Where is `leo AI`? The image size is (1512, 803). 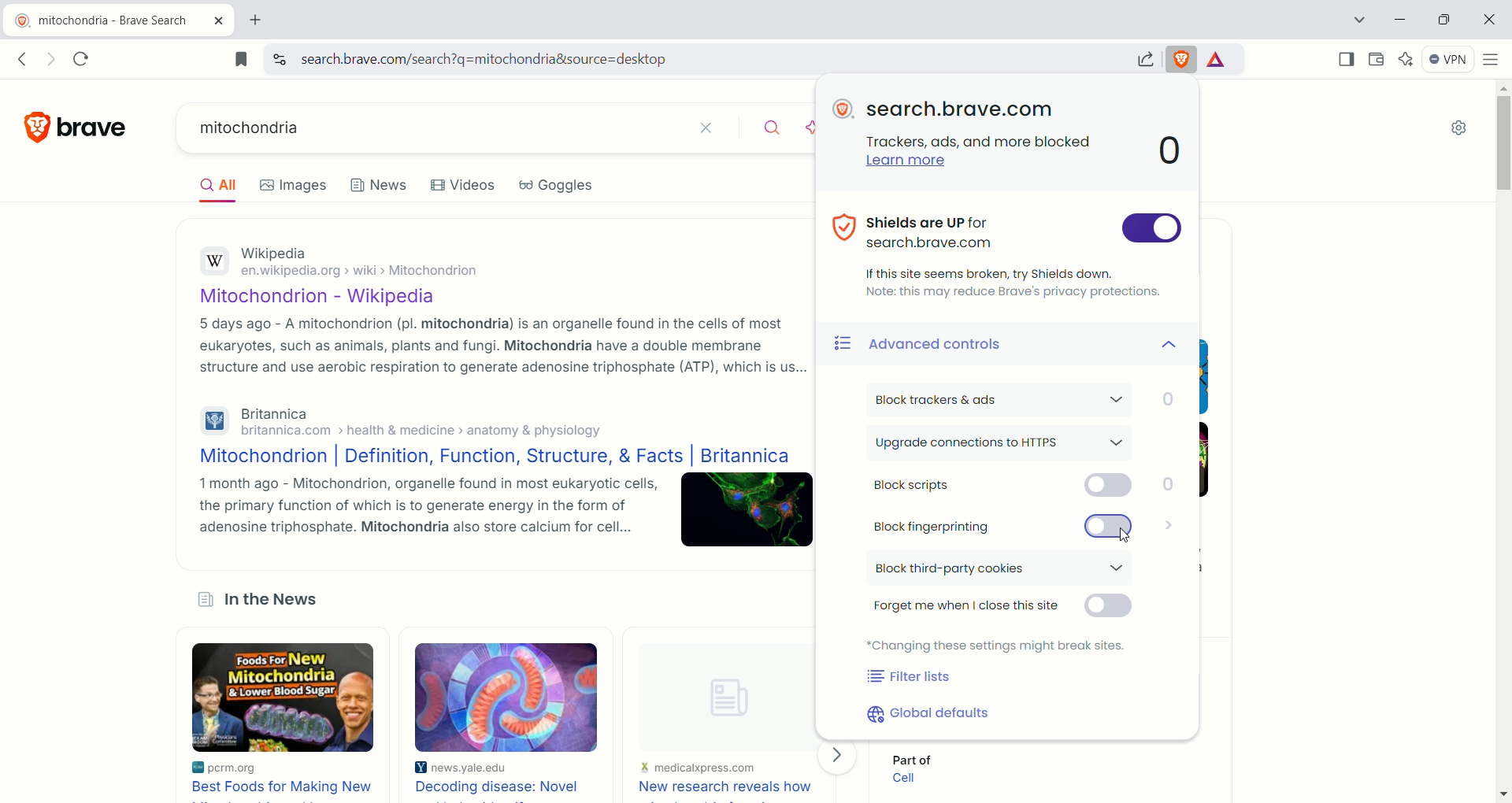
leo AI is located at coordinates (1407, 58).